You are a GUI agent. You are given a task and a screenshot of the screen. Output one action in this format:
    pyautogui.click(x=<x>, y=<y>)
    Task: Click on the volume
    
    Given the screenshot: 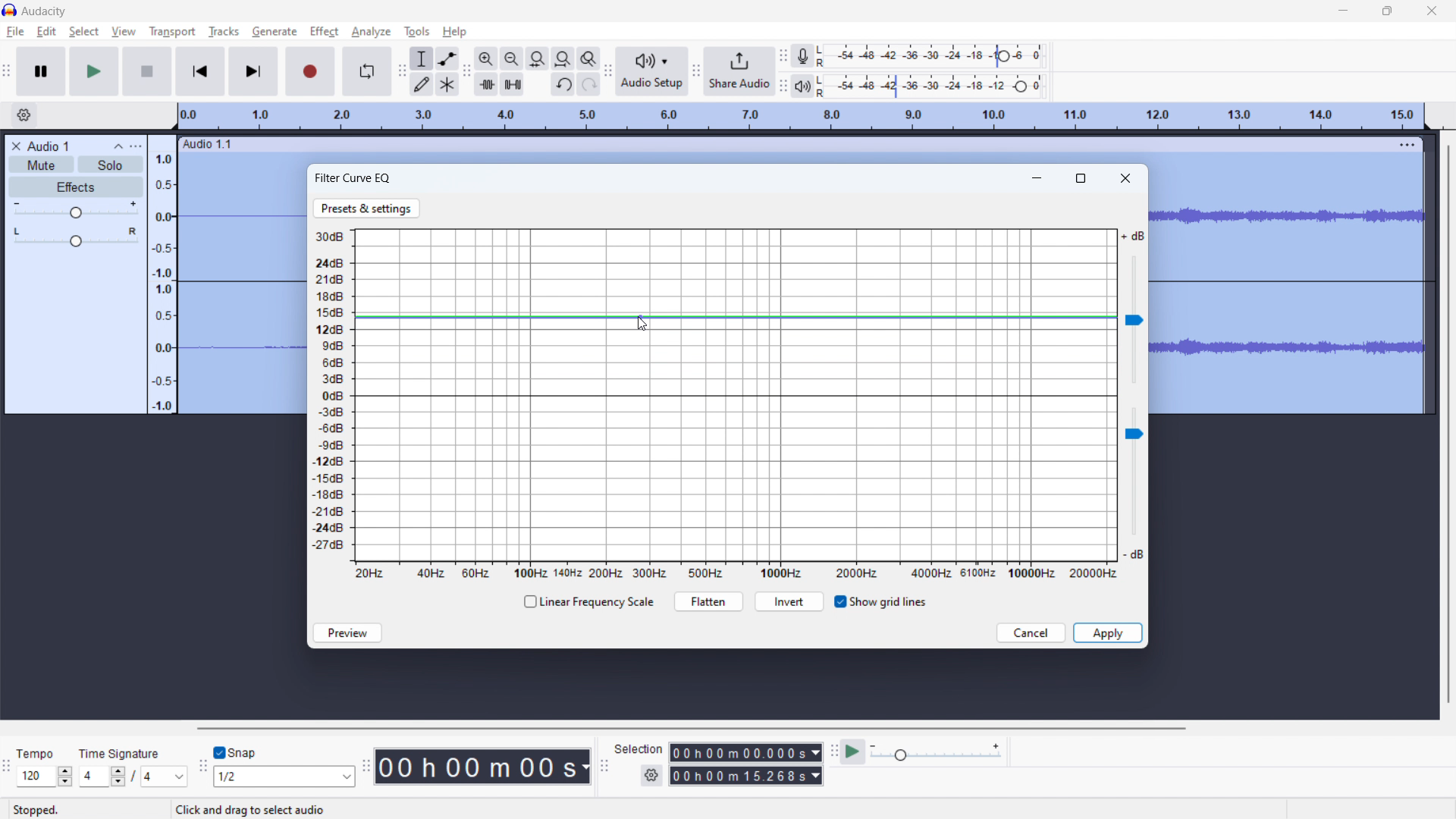 What is the action you would take?
    pyautogui.click(x=77, y=210)
    